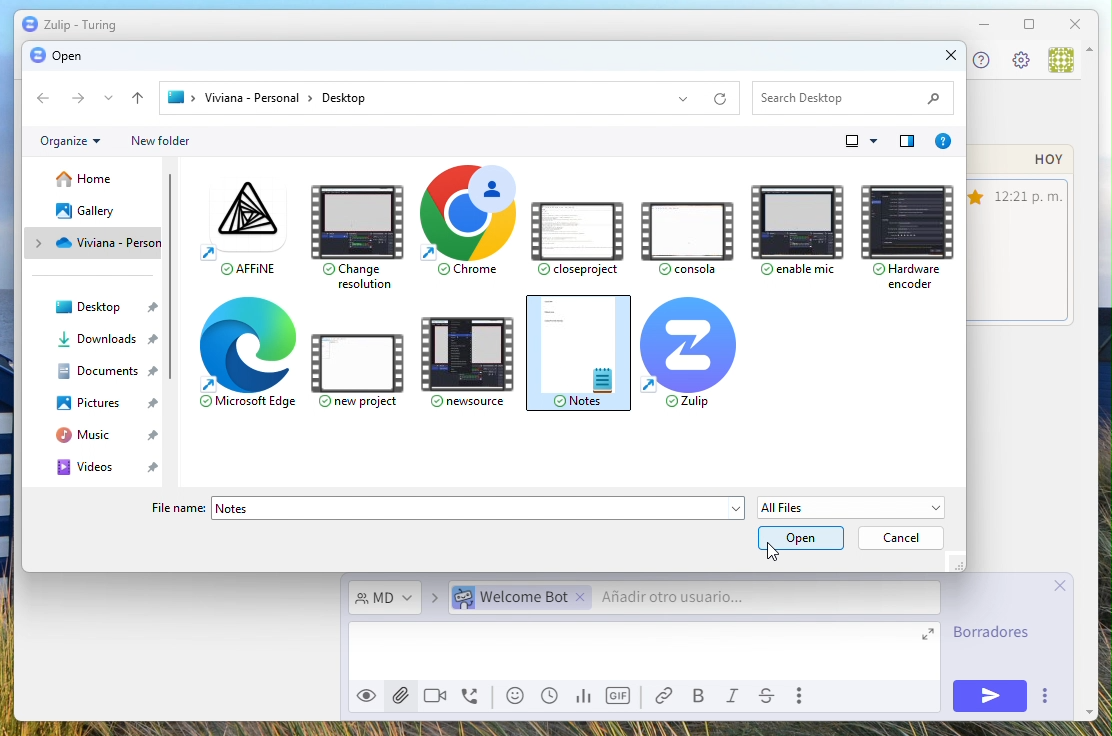  Describe the element at coordinates (684, 231) in the screenshot. I see `consola` at that location.